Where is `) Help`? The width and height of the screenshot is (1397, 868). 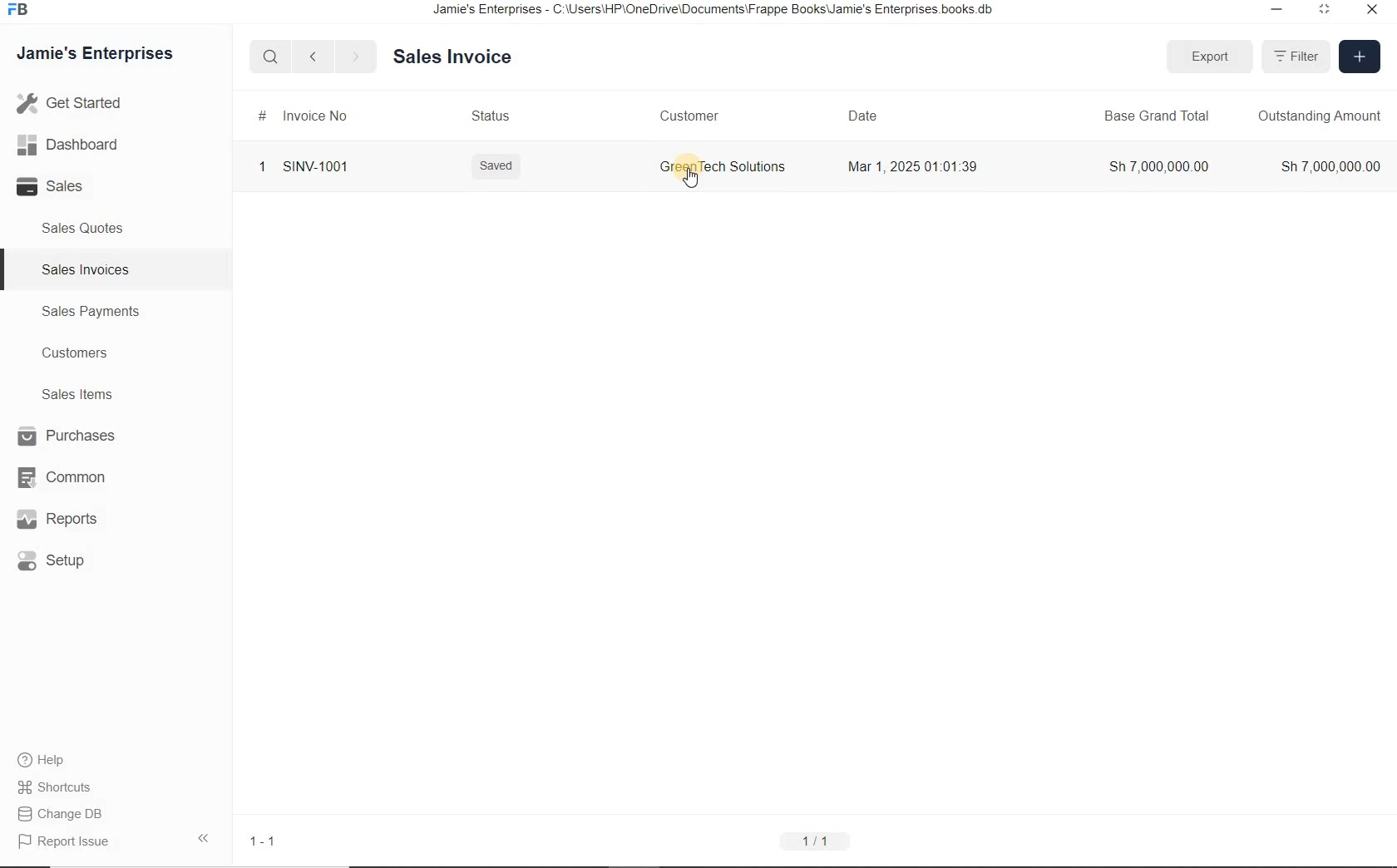 ) Help is located at coordinates (62, 759).